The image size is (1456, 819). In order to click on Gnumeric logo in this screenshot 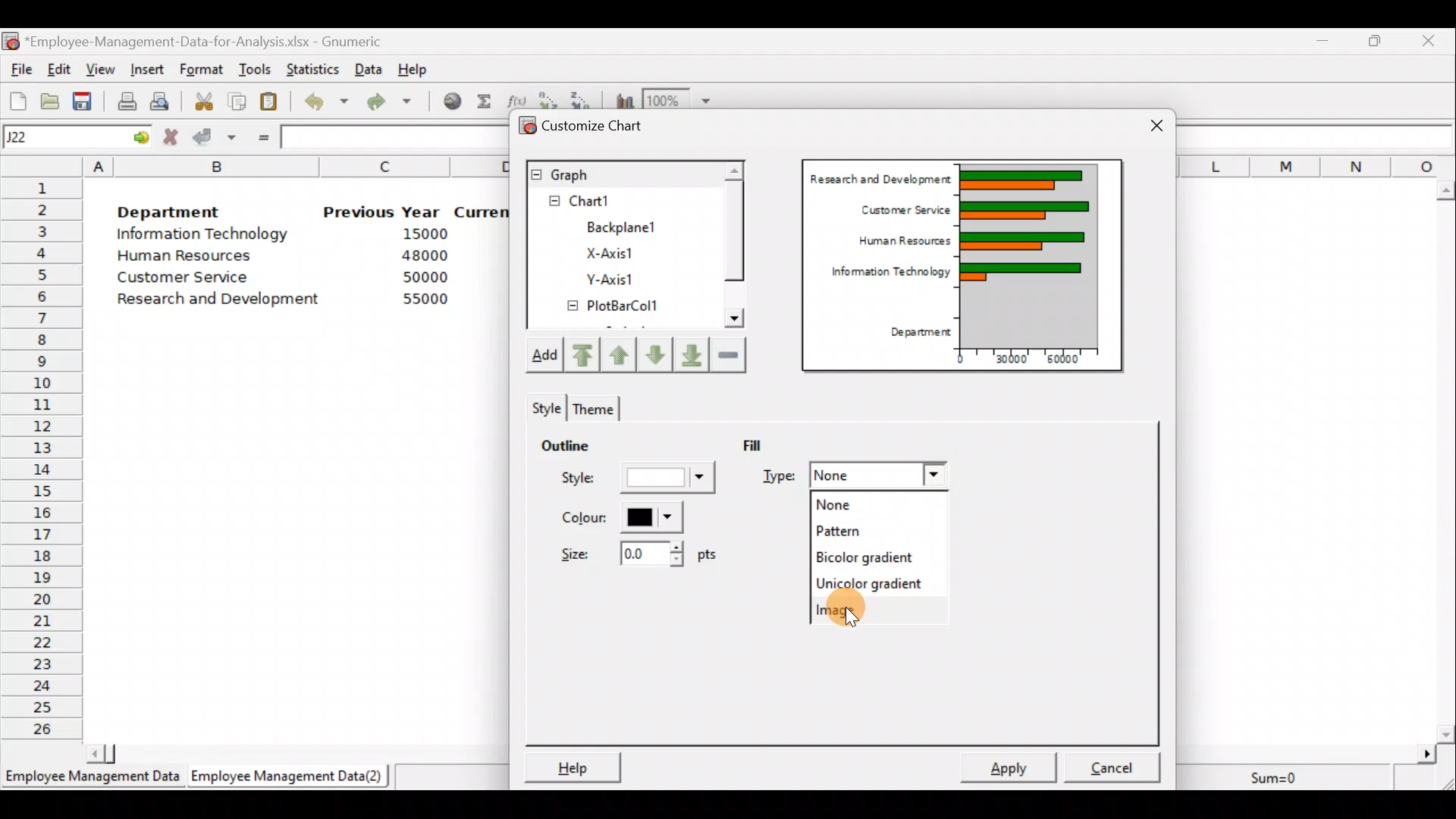, I will do `click(12, 41)`.